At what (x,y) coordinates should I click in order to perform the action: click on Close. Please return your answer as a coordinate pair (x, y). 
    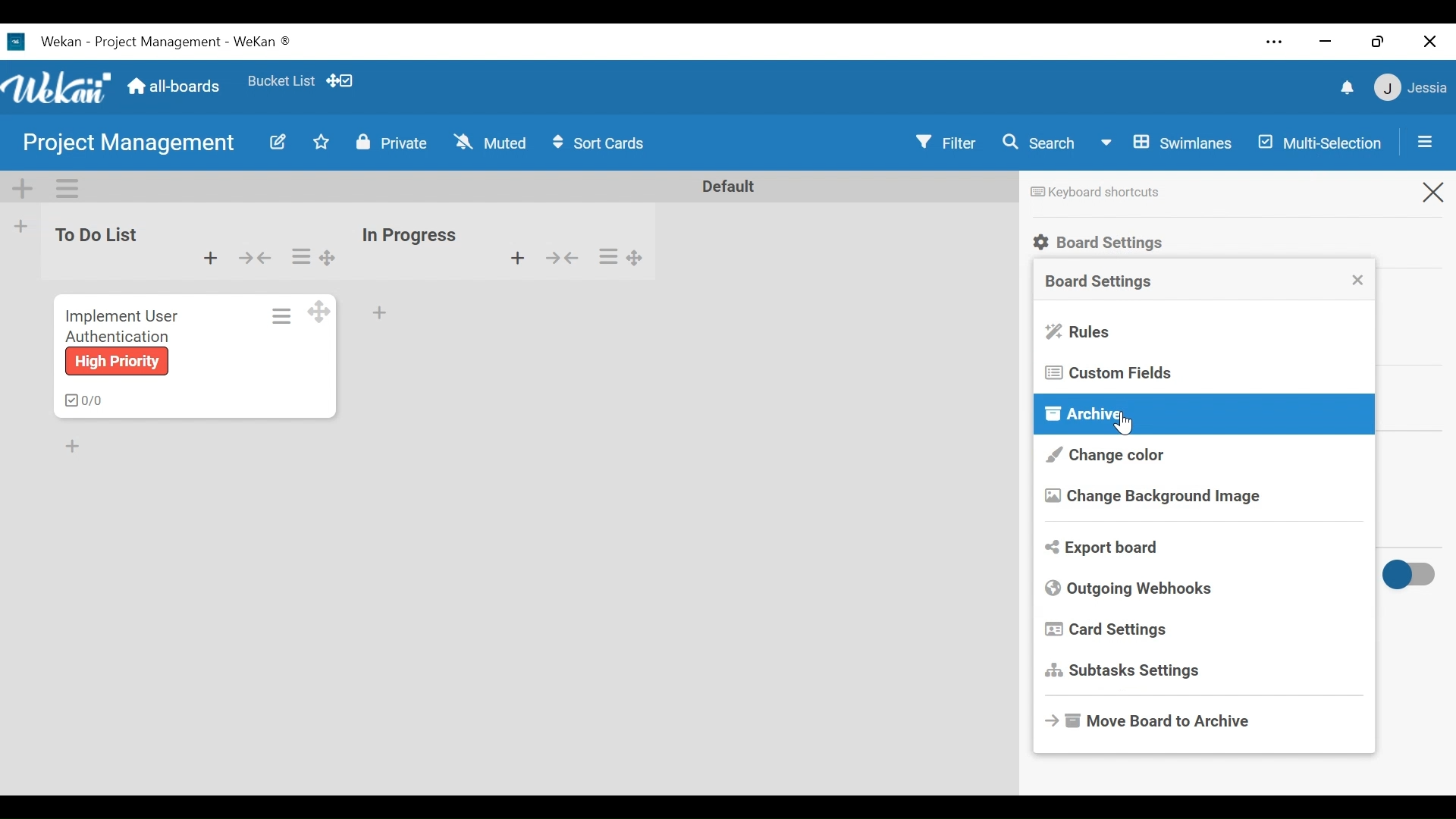
    Looking at the image, I should click on (1432, 195).